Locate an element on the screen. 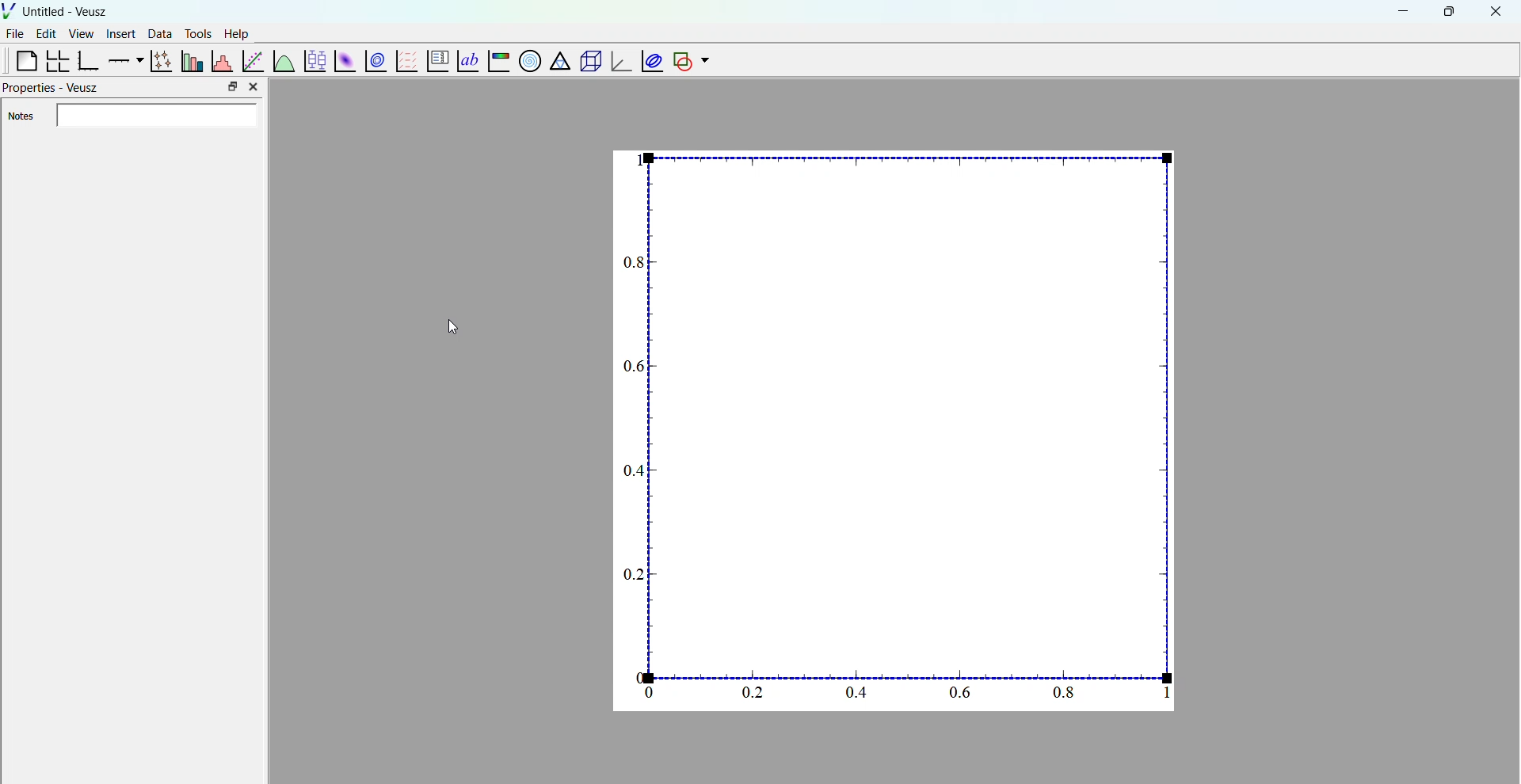 The image size is (1521, 784). plot functions is located at coordinates (283, 60).